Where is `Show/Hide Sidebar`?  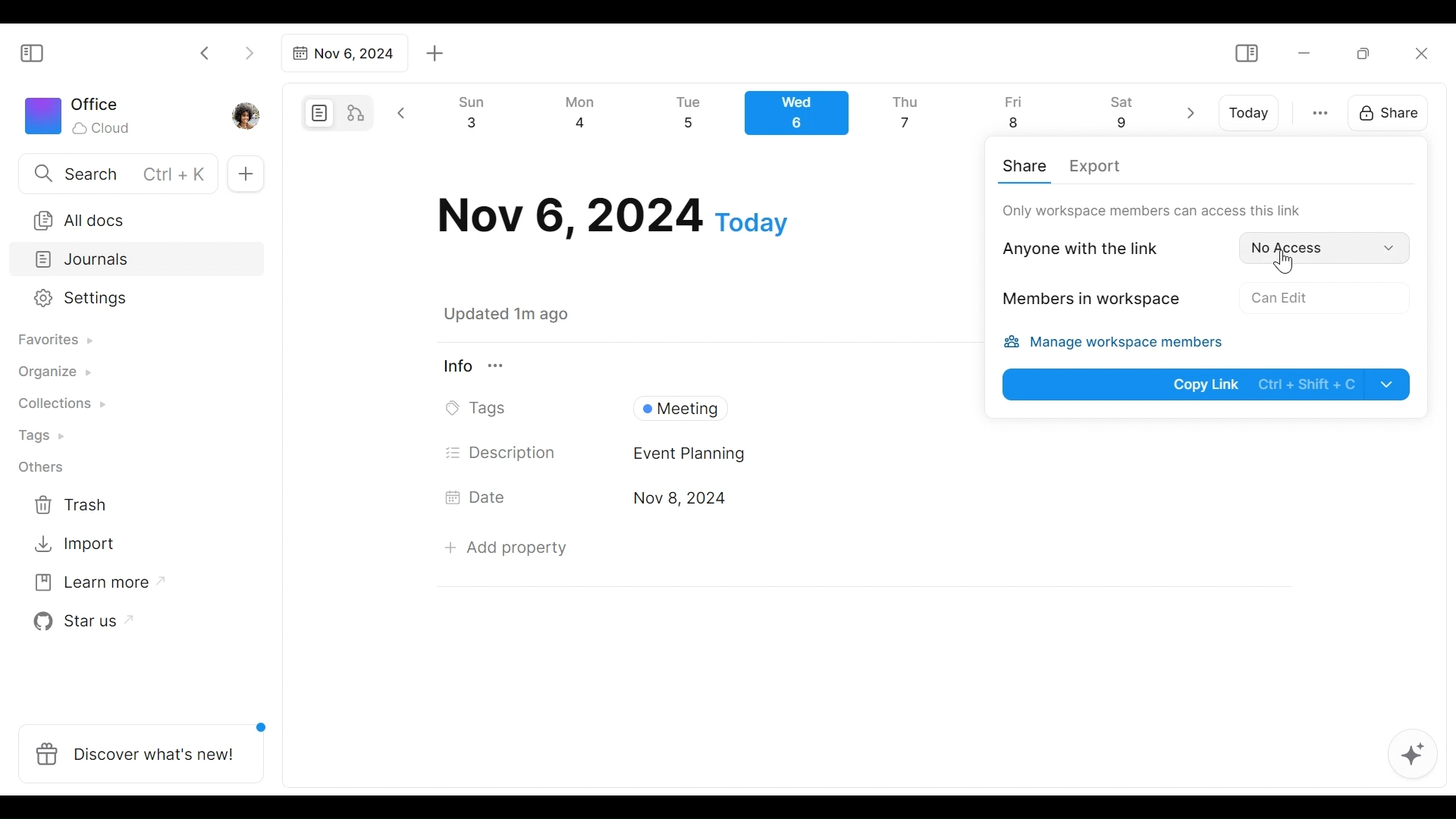
Show/Hide Sidebar is located at coordinates (39, 52).